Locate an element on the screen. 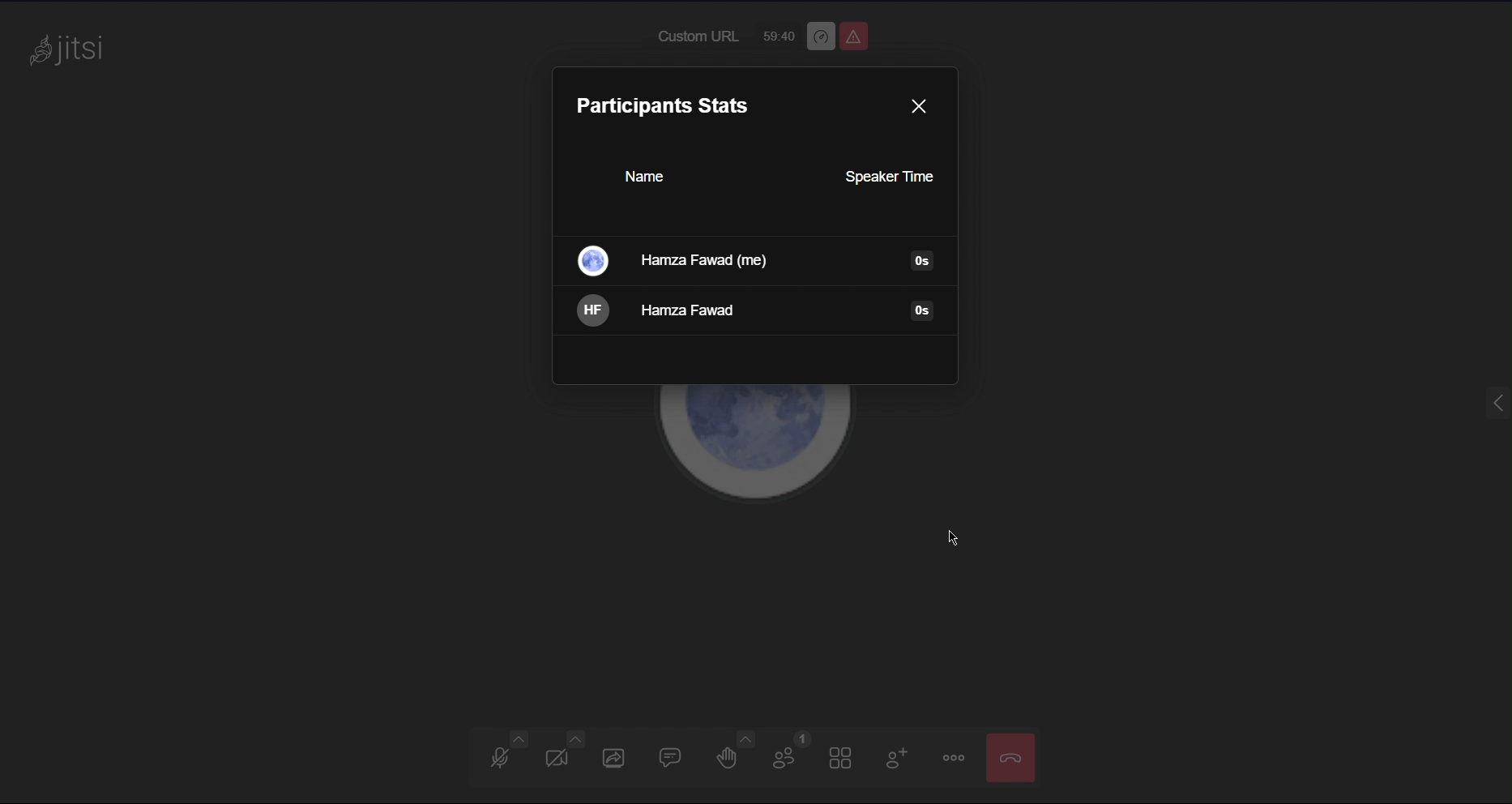 The image size is (1512, 804). Share Screen is located at coordinates (617, 758).